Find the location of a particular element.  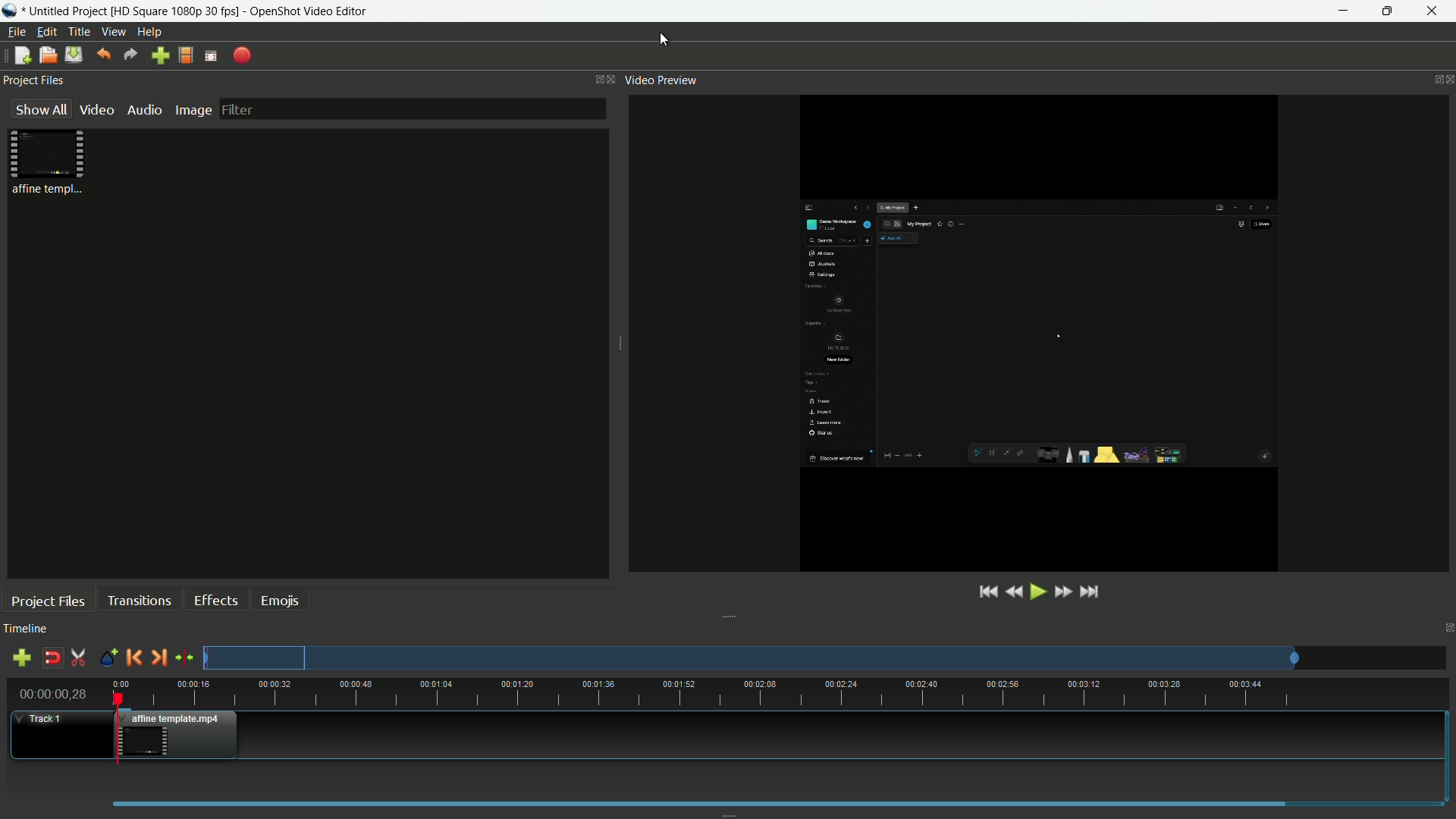

title menu is located at coordinates (80, 32).